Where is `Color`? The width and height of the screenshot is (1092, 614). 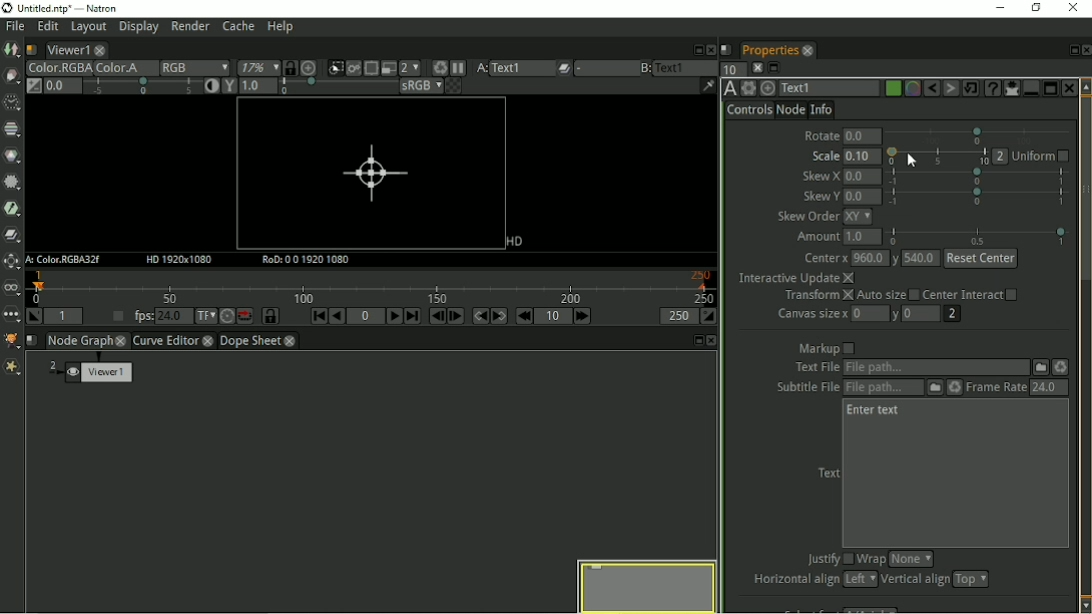 Color is located at coordinates (13, 156).